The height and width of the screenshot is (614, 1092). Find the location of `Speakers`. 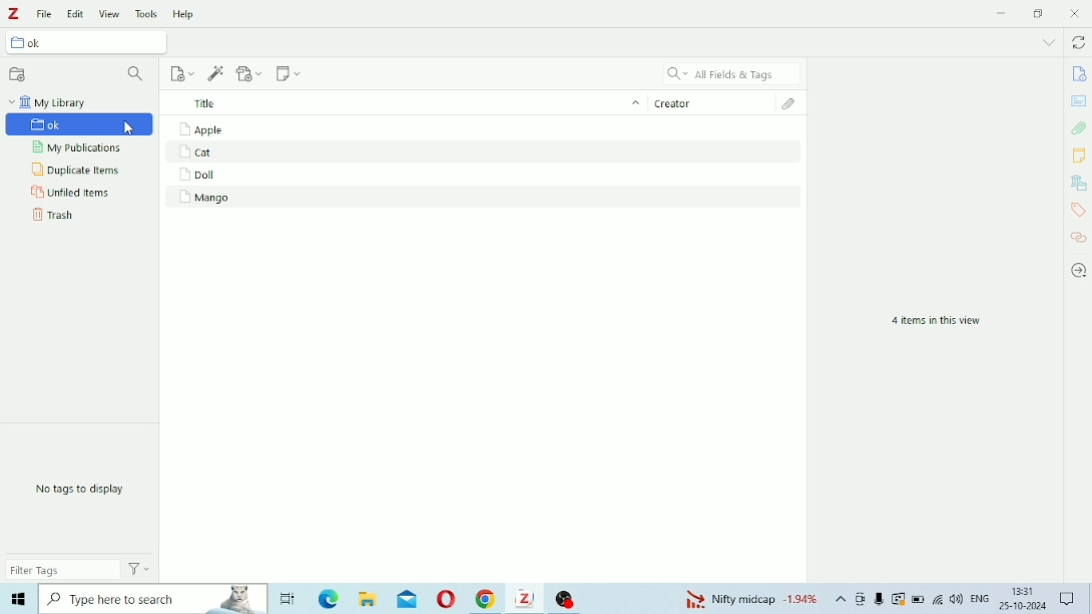

Speakers is located at coordinates (957, 599).